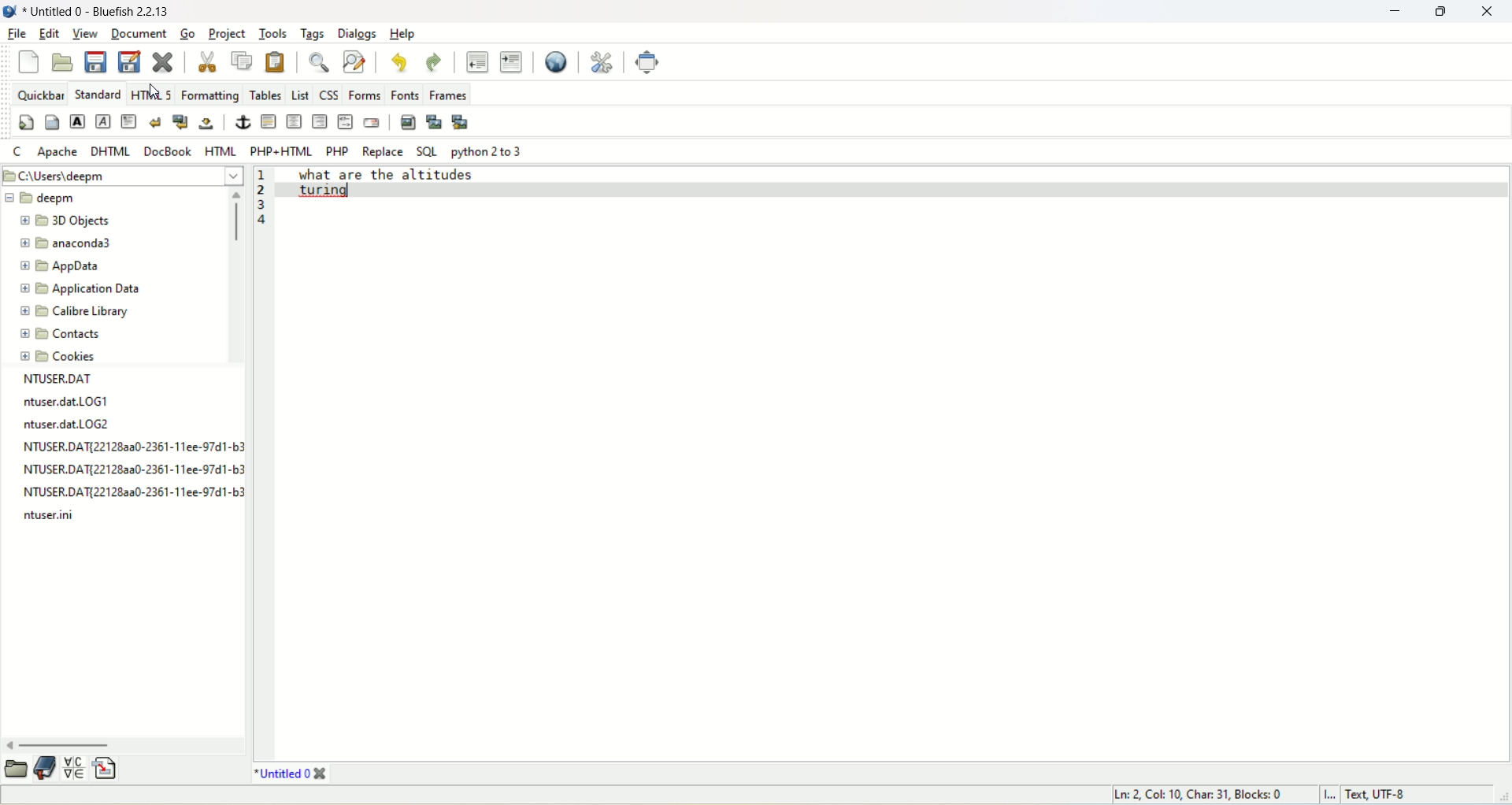 This screenshot has height=805, width=1512. I want to click on application, so click(82, 291).